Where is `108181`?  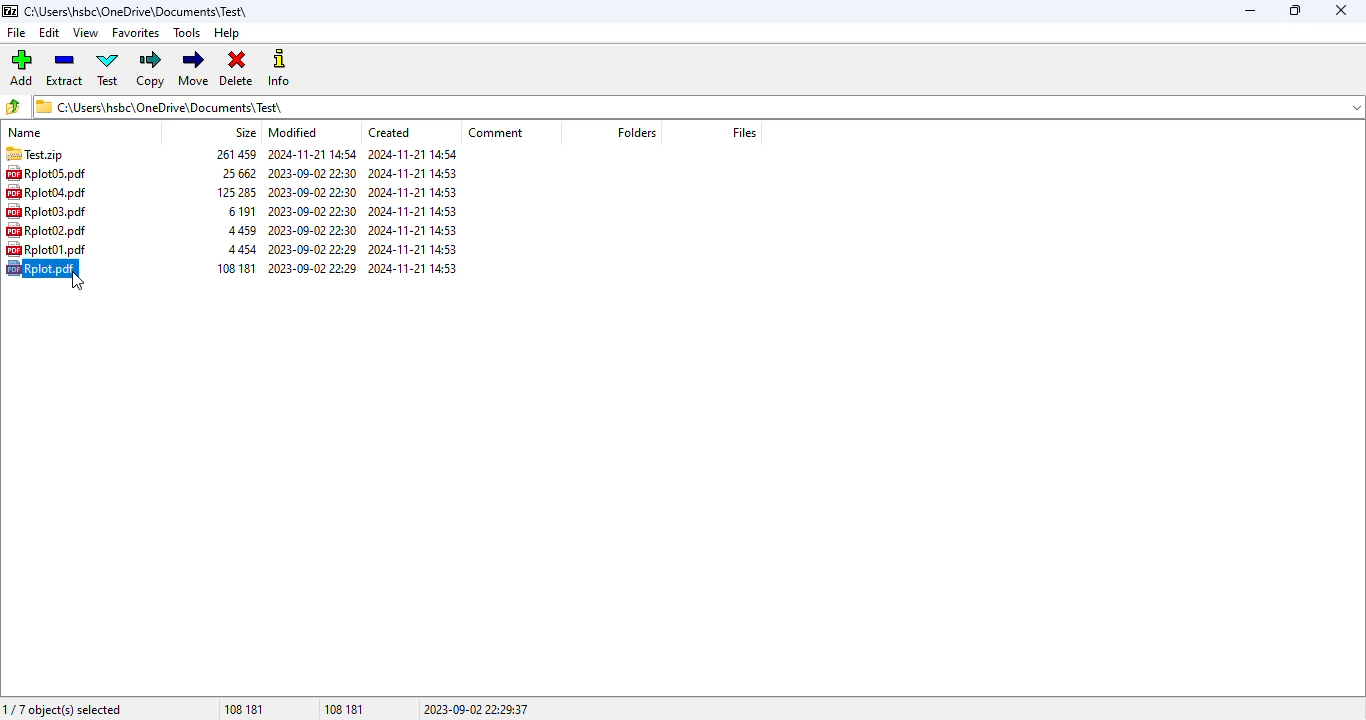
108181 is located at coordinates (226, 268).